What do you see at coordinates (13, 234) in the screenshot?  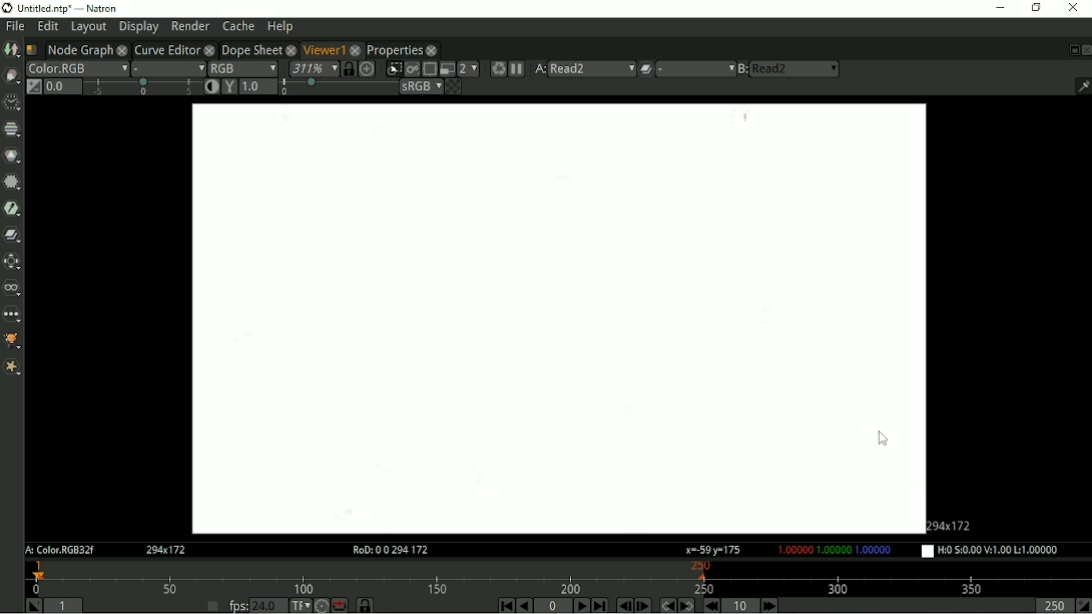 I see `Merge` at bounding box center [13, 234].